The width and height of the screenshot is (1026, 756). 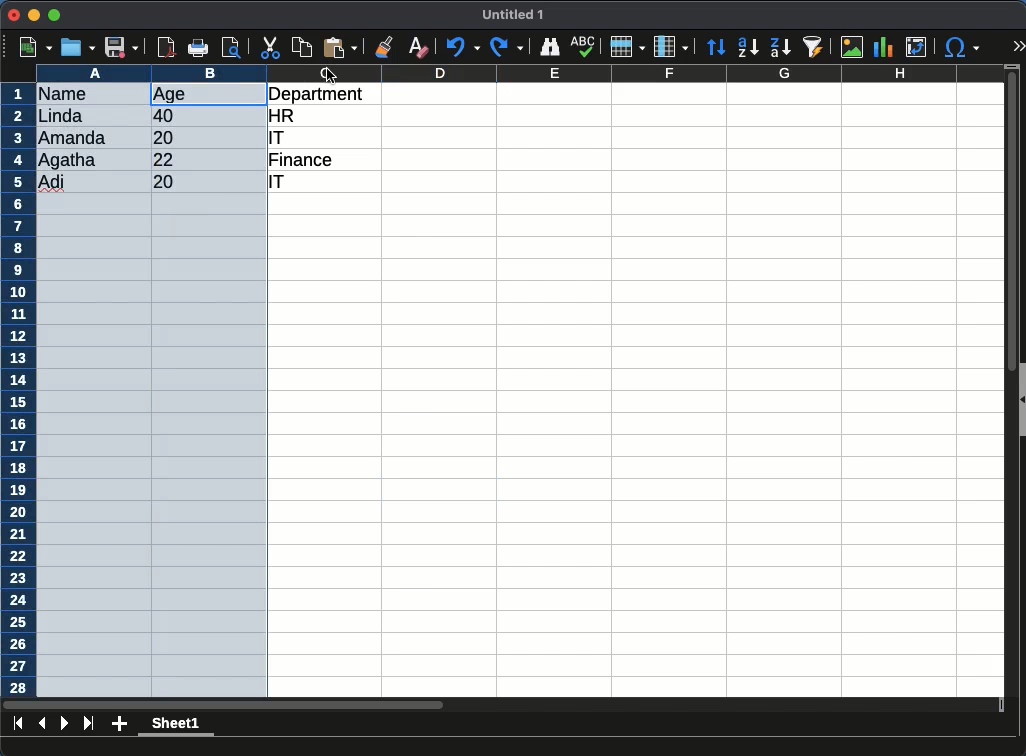 I want to click on sheet 1, so click(x=177, y=726).